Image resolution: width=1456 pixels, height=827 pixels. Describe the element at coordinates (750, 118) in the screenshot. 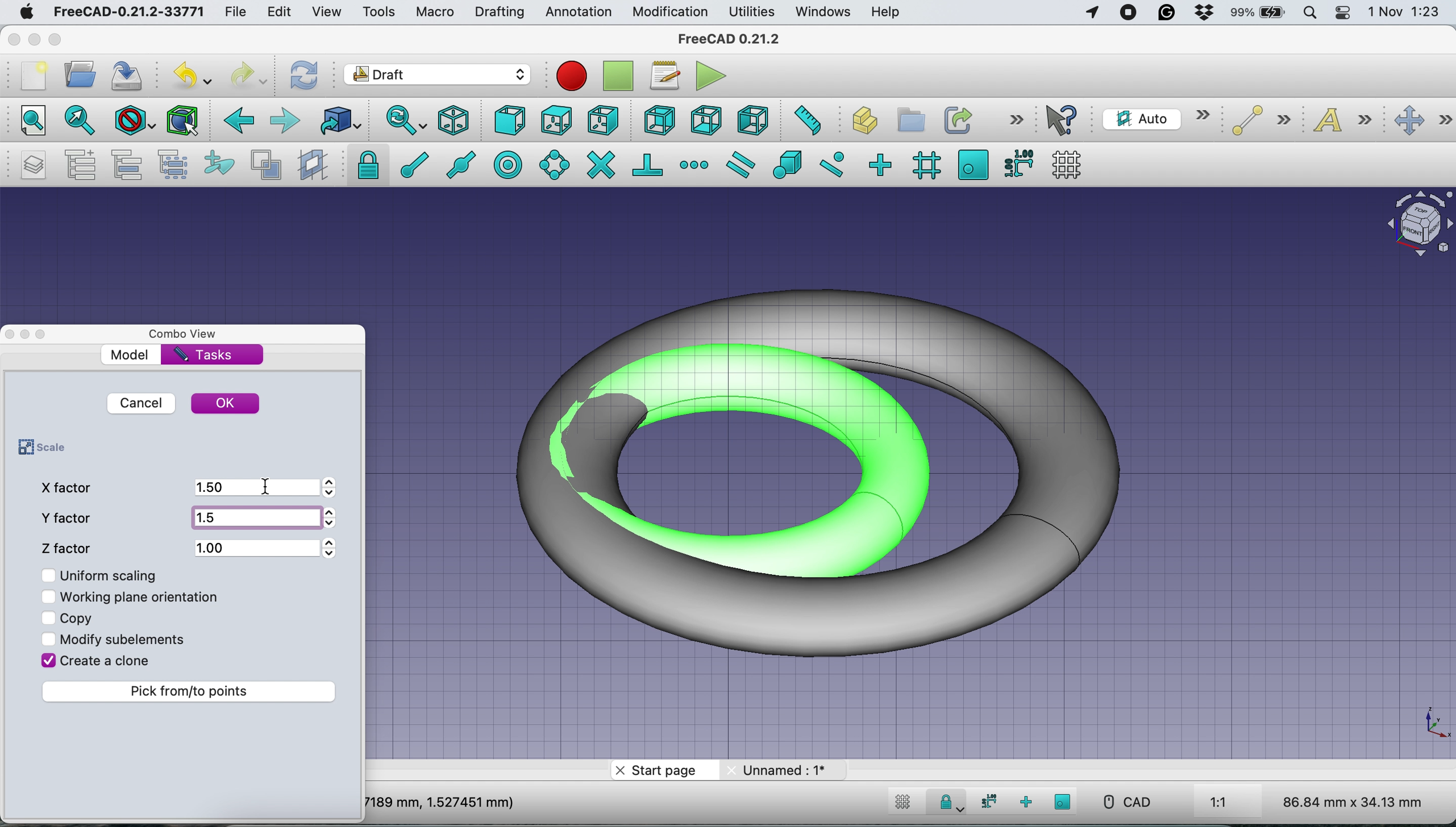

I see `left` at that location.